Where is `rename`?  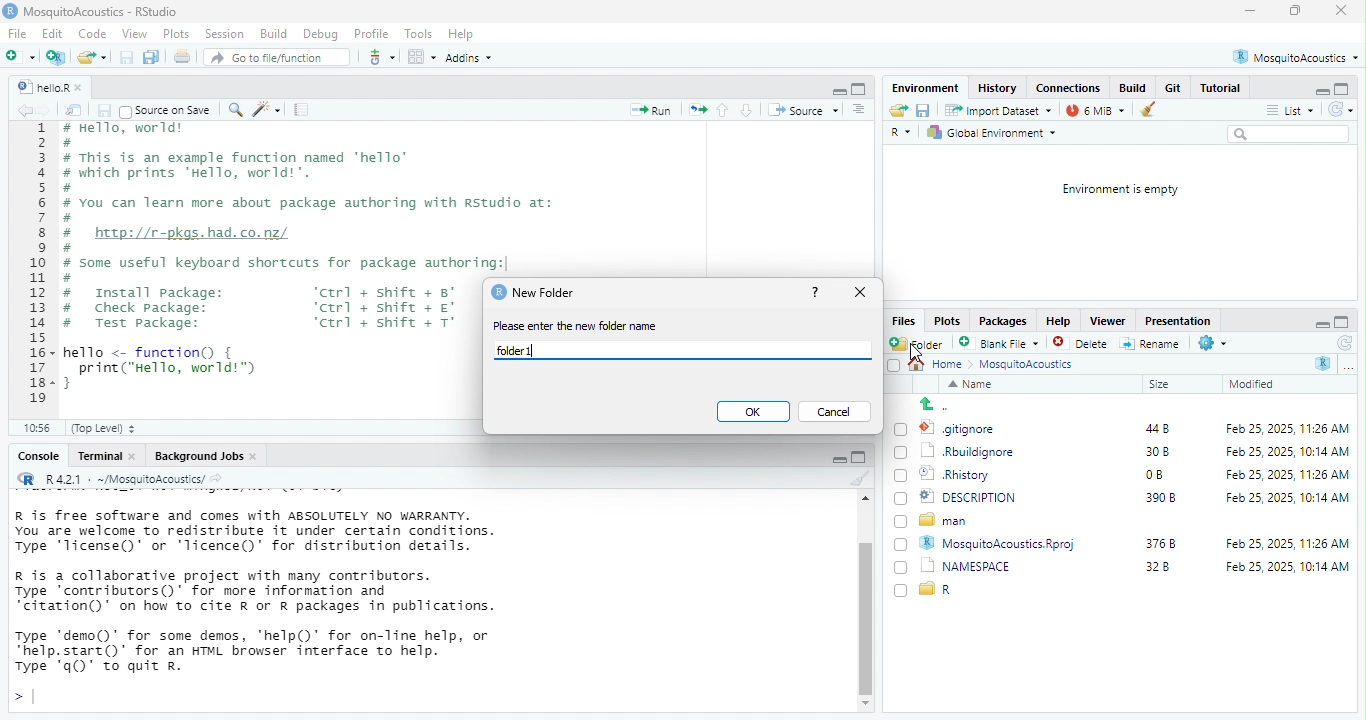 rename is located at coordinates (1153, 346).